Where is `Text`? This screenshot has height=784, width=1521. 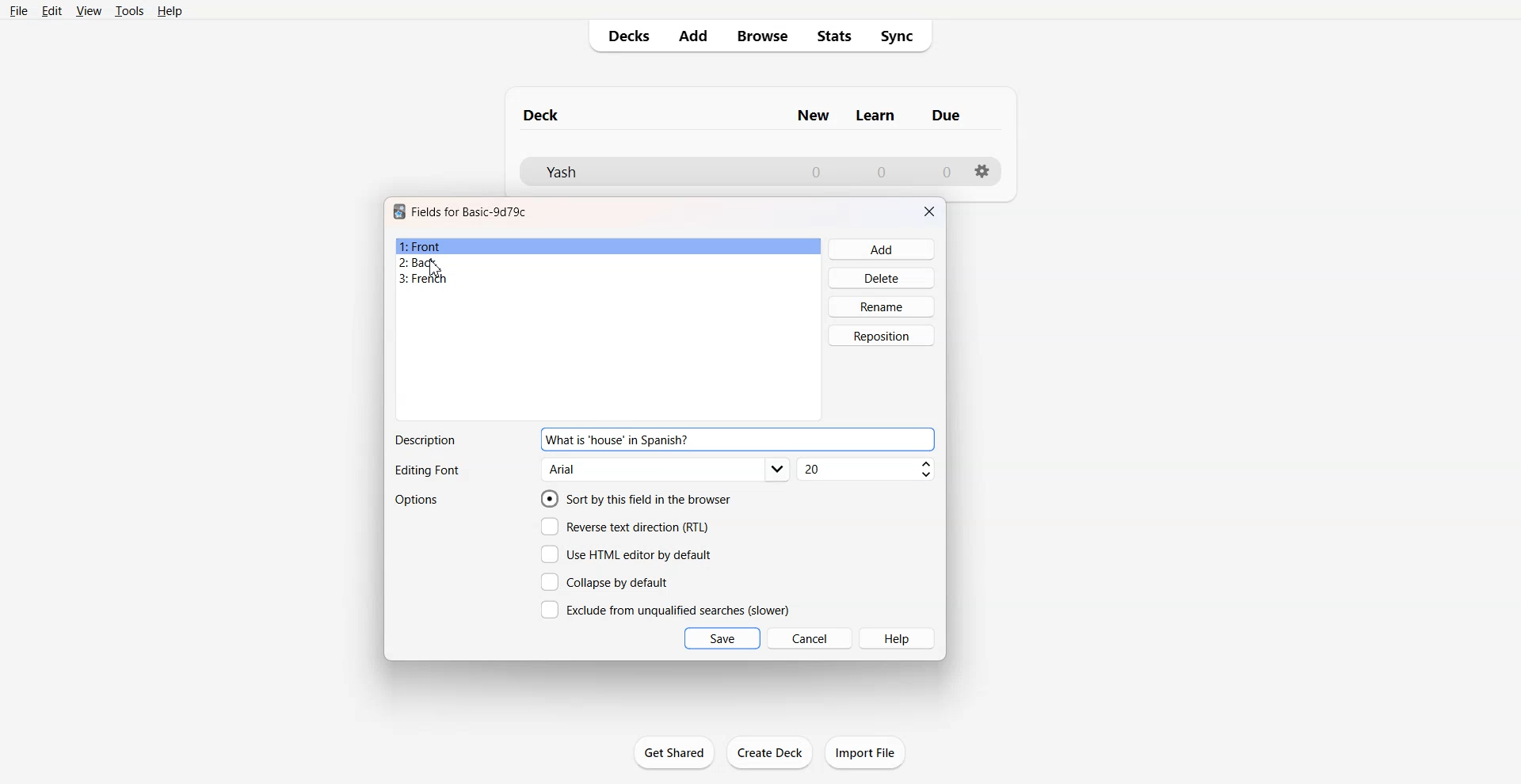 Text is located at coordinates (426, 471).